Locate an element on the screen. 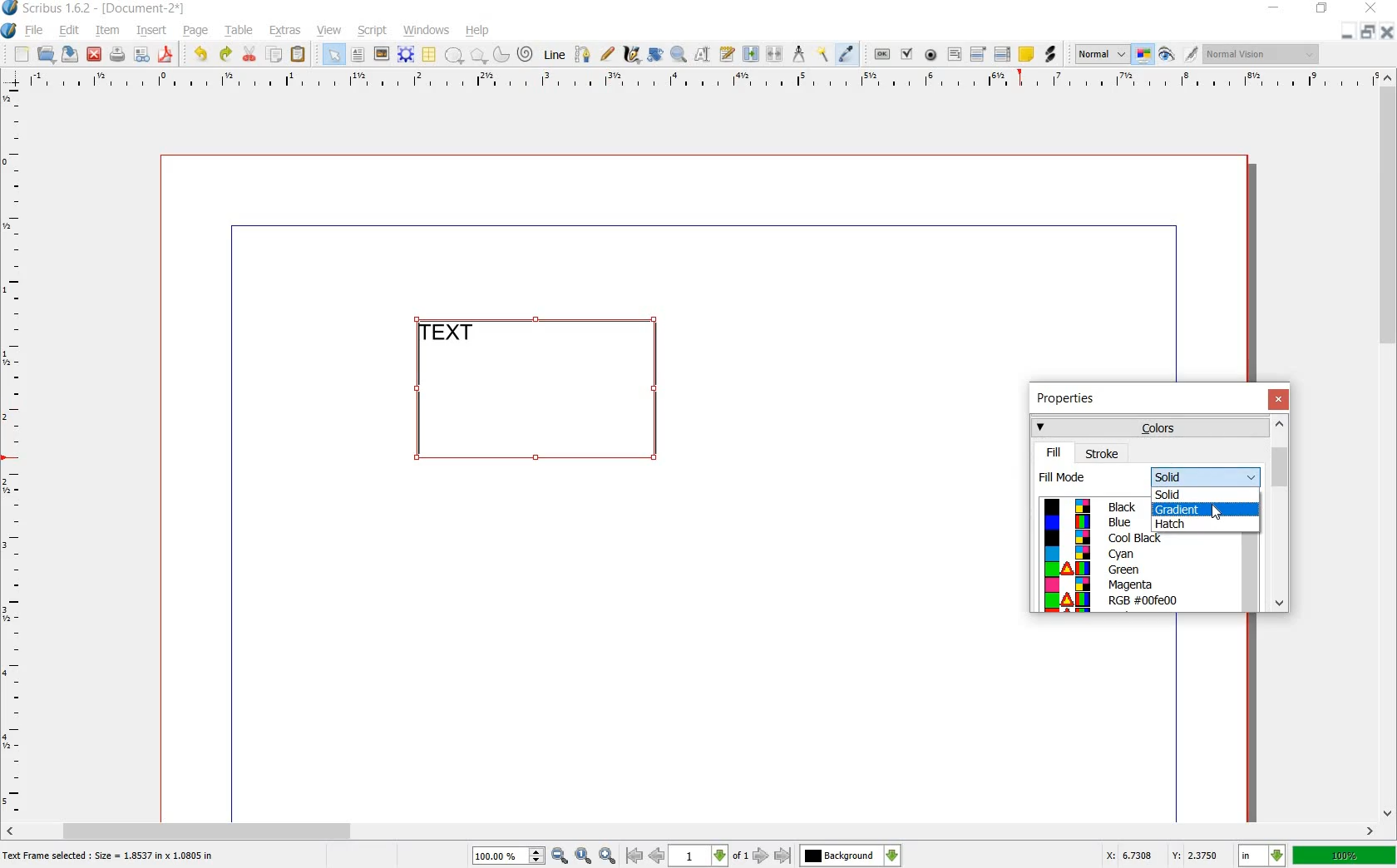 The width and height of the screenshot is (1397, 868). ruler is located at coordinates (696, 81).